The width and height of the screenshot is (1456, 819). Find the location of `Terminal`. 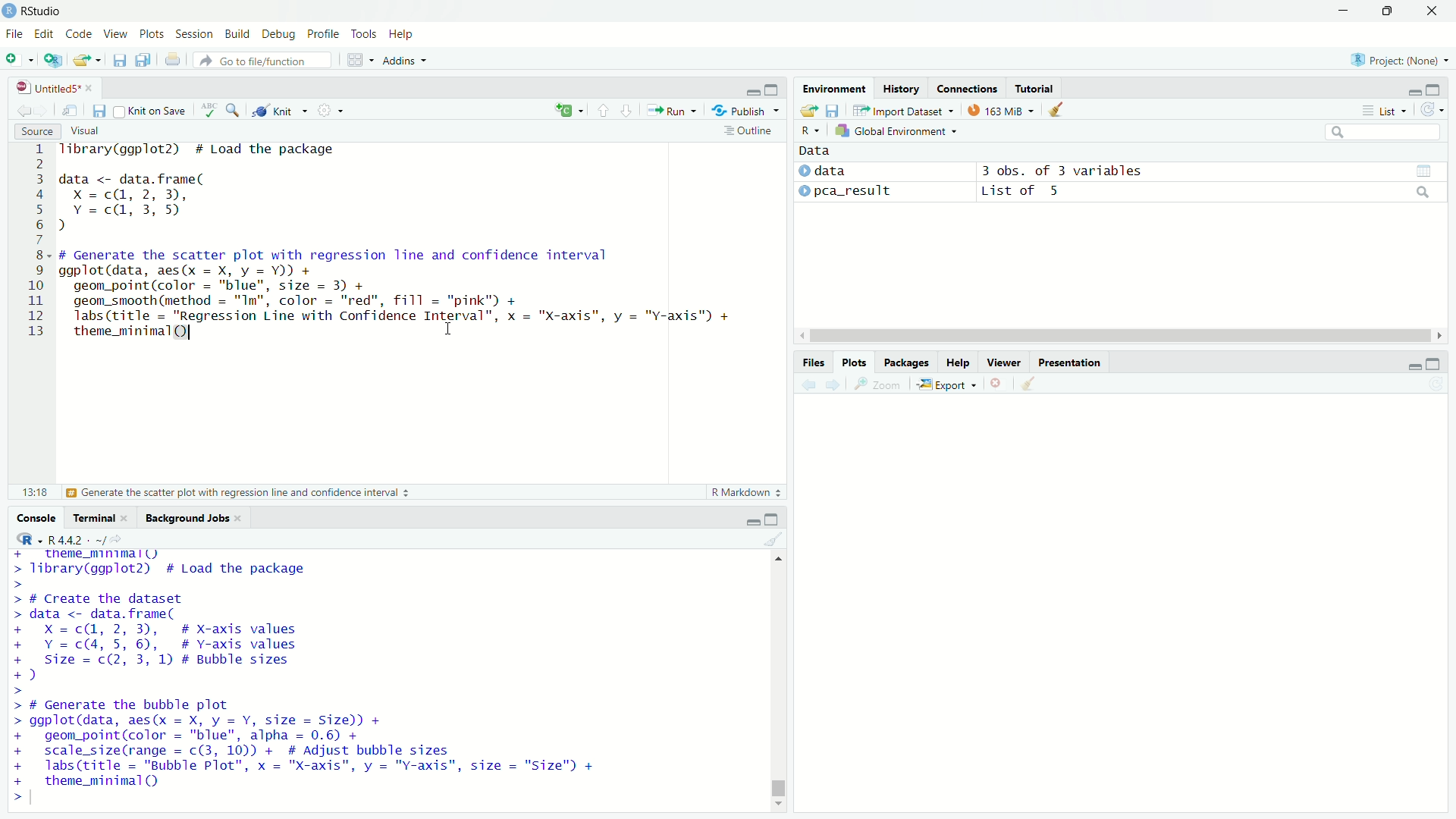

Terminal is located at coordinates (90, 516).